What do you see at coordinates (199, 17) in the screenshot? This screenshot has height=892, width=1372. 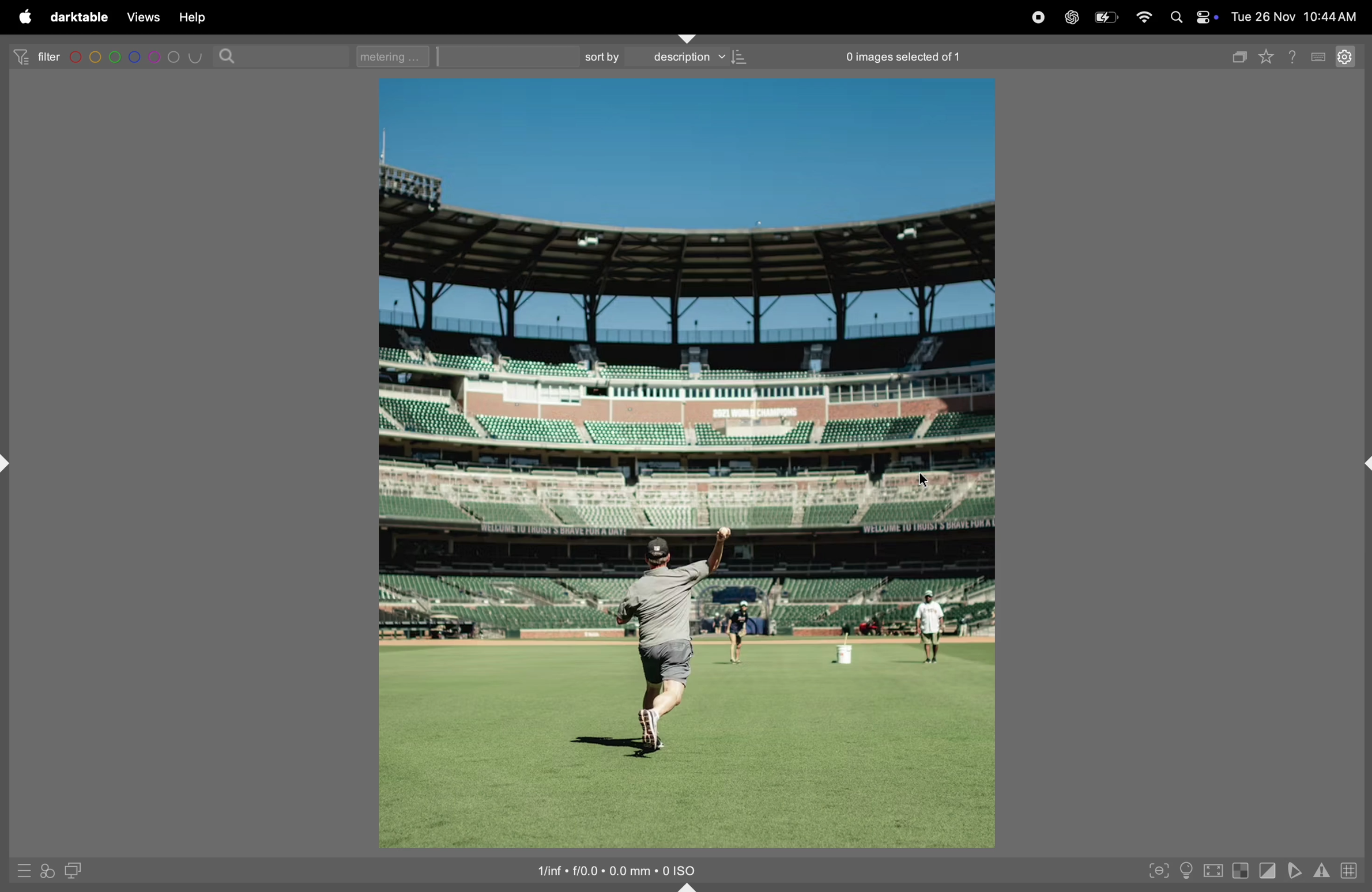 I see `help` at bounding box center [199, 17].